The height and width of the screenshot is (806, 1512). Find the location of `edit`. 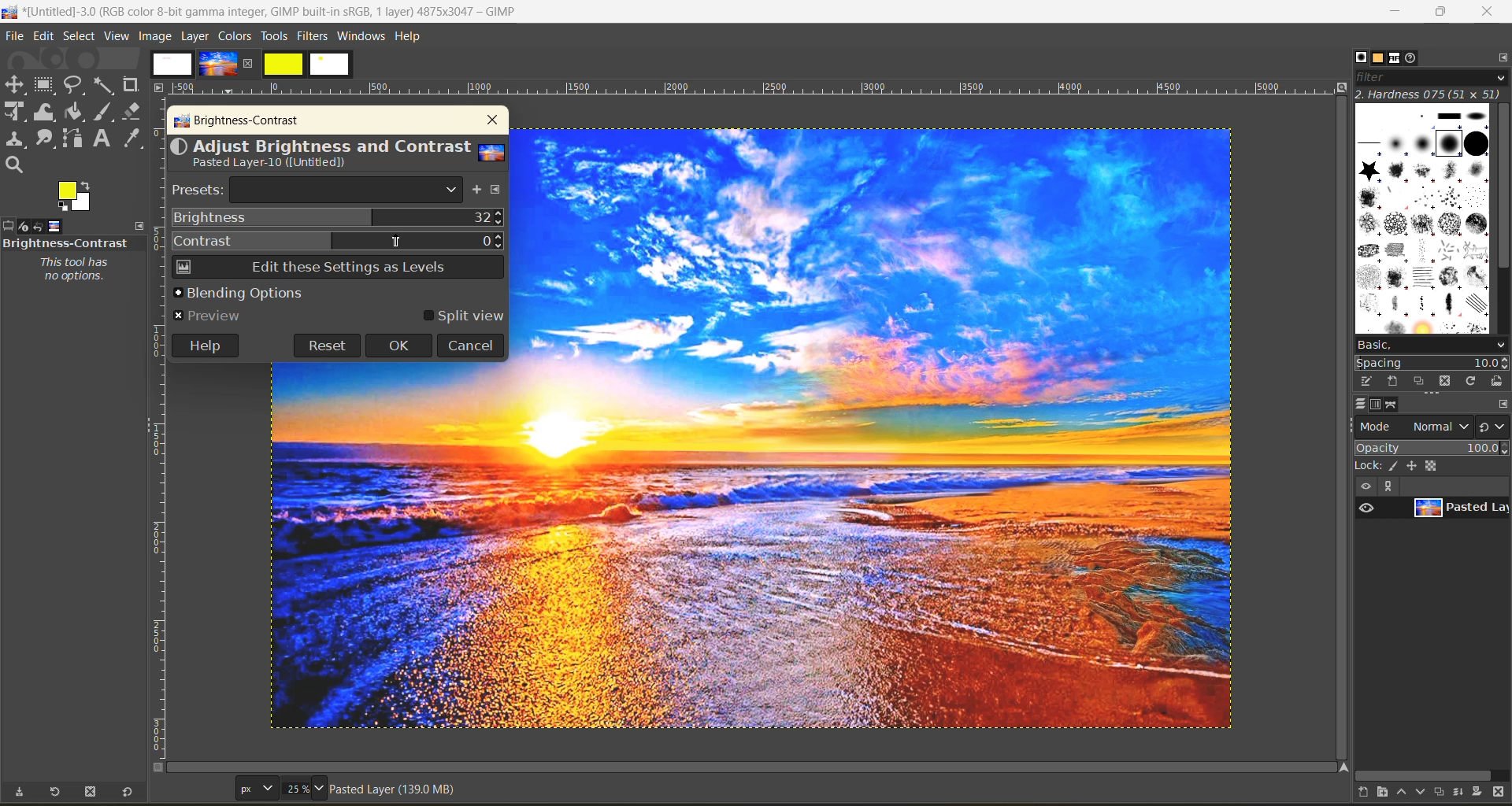

edit is located at coordinates (46, 38).